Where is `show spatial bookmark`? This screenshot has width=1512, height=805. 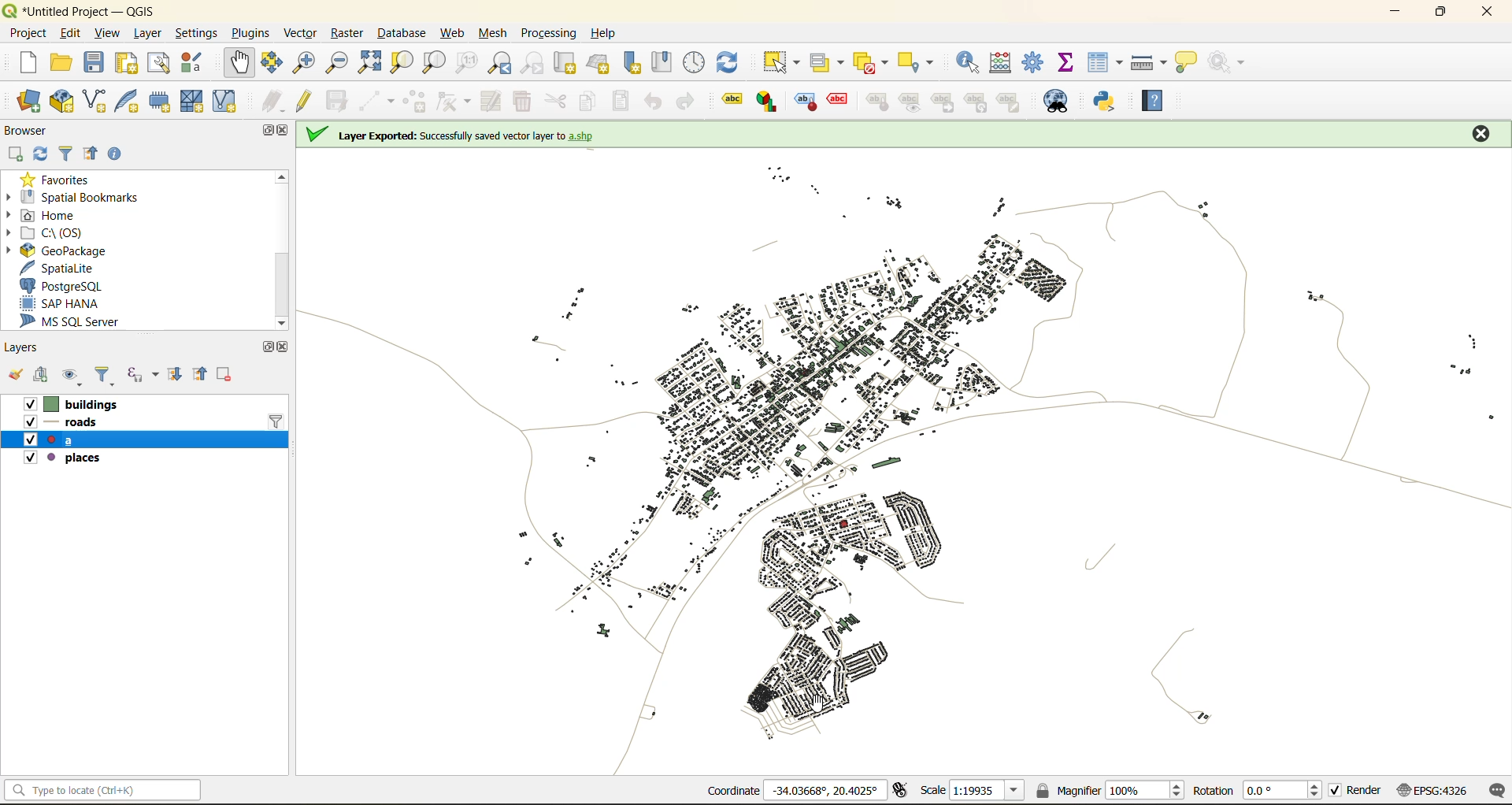
show spatial bookmark is located at coordinates (667, 61).